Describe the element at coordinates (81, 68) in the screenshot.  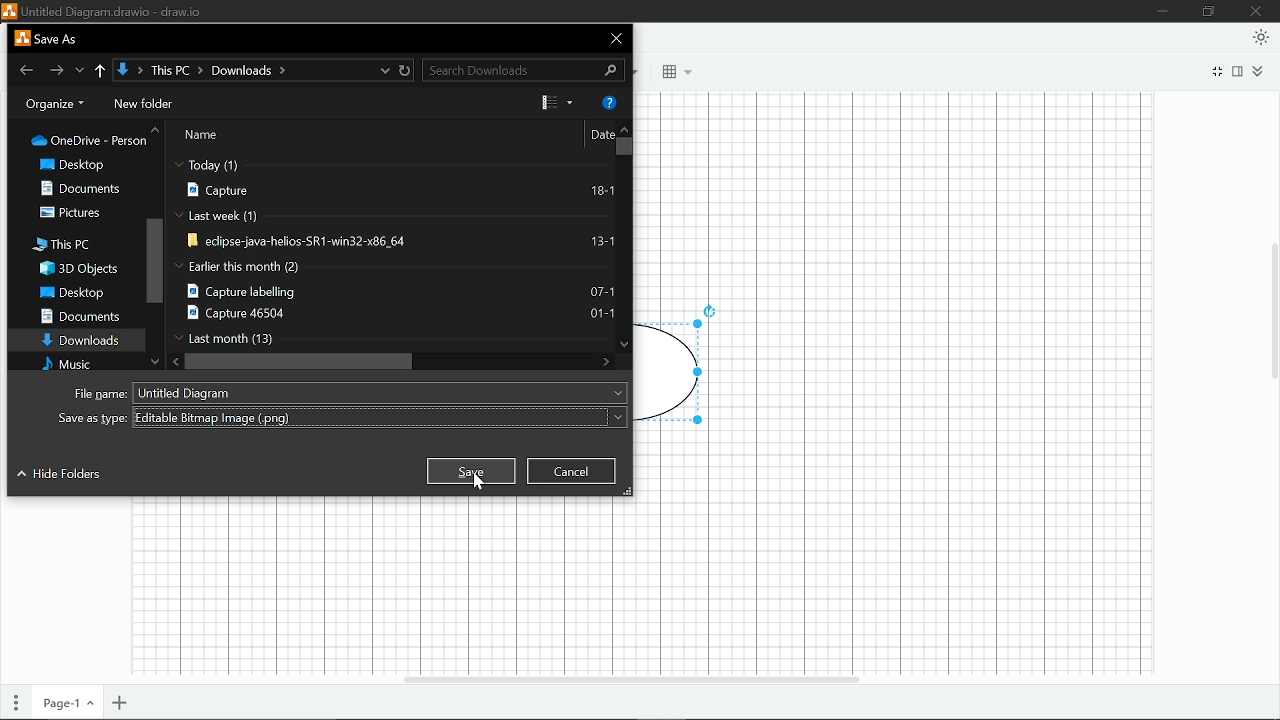
I see `Previous locations` at that location.